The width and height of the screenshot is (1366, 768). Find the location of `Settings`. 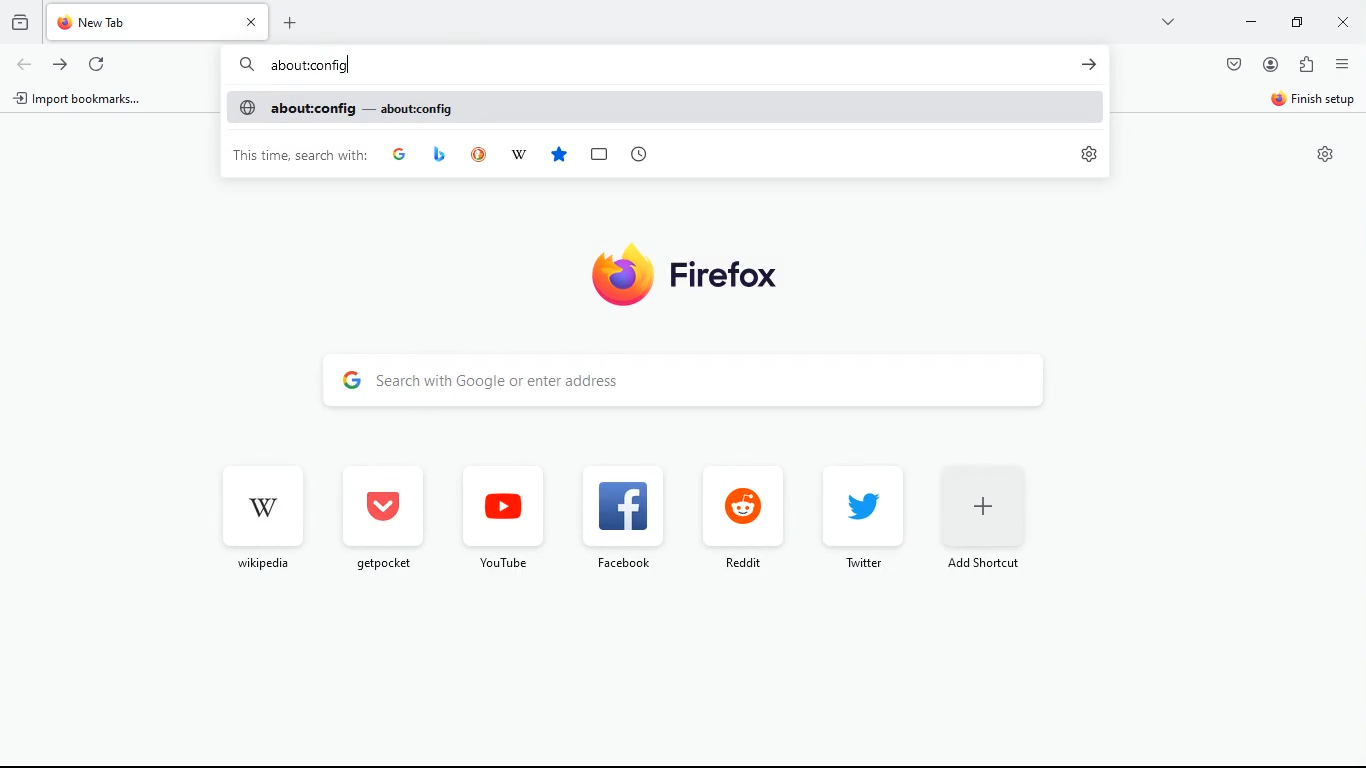

Settings is located at coordinates (1326, 154).